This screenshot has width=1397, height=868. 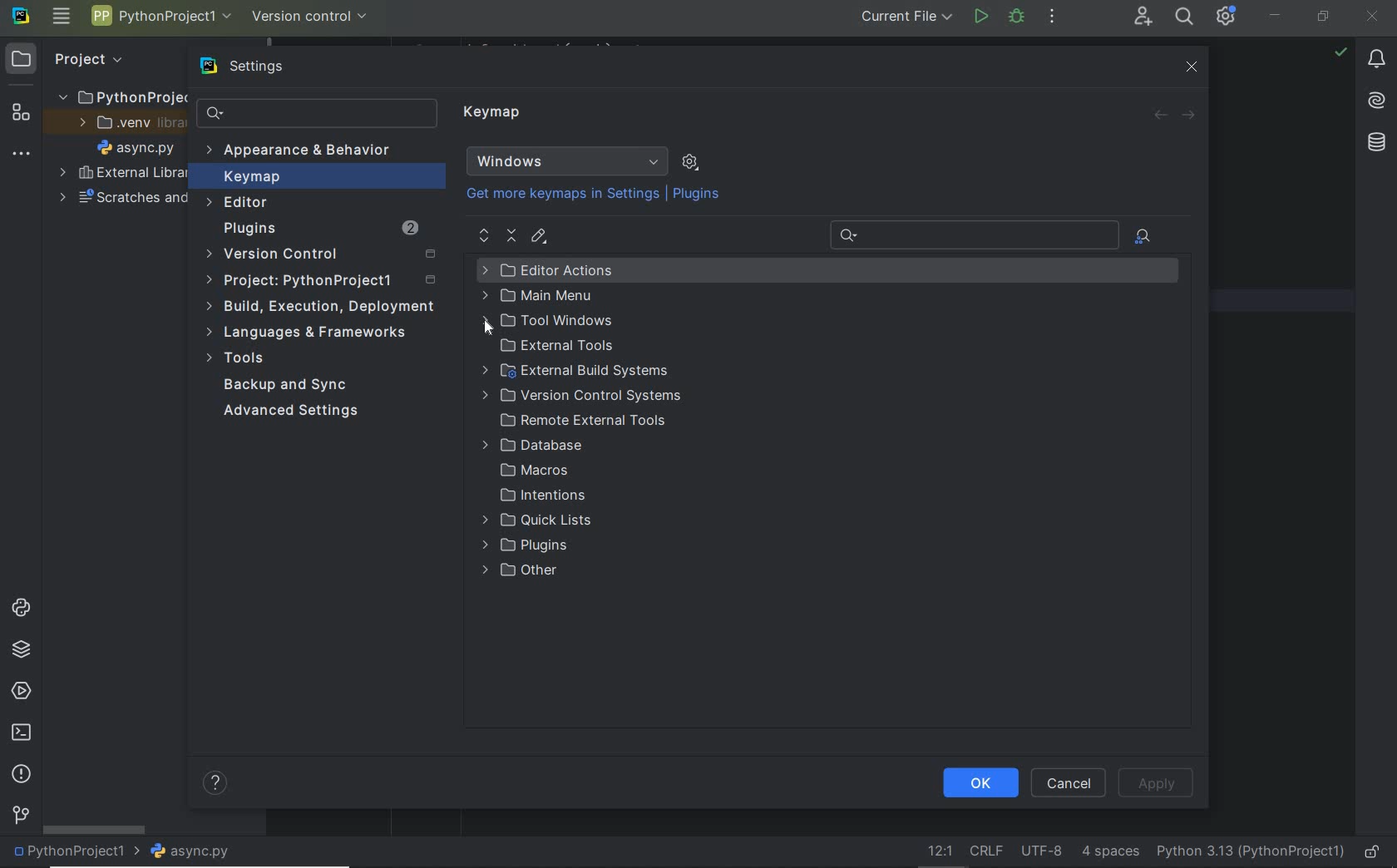 I want to click on Editor Actions, so click(x=549, y=269).